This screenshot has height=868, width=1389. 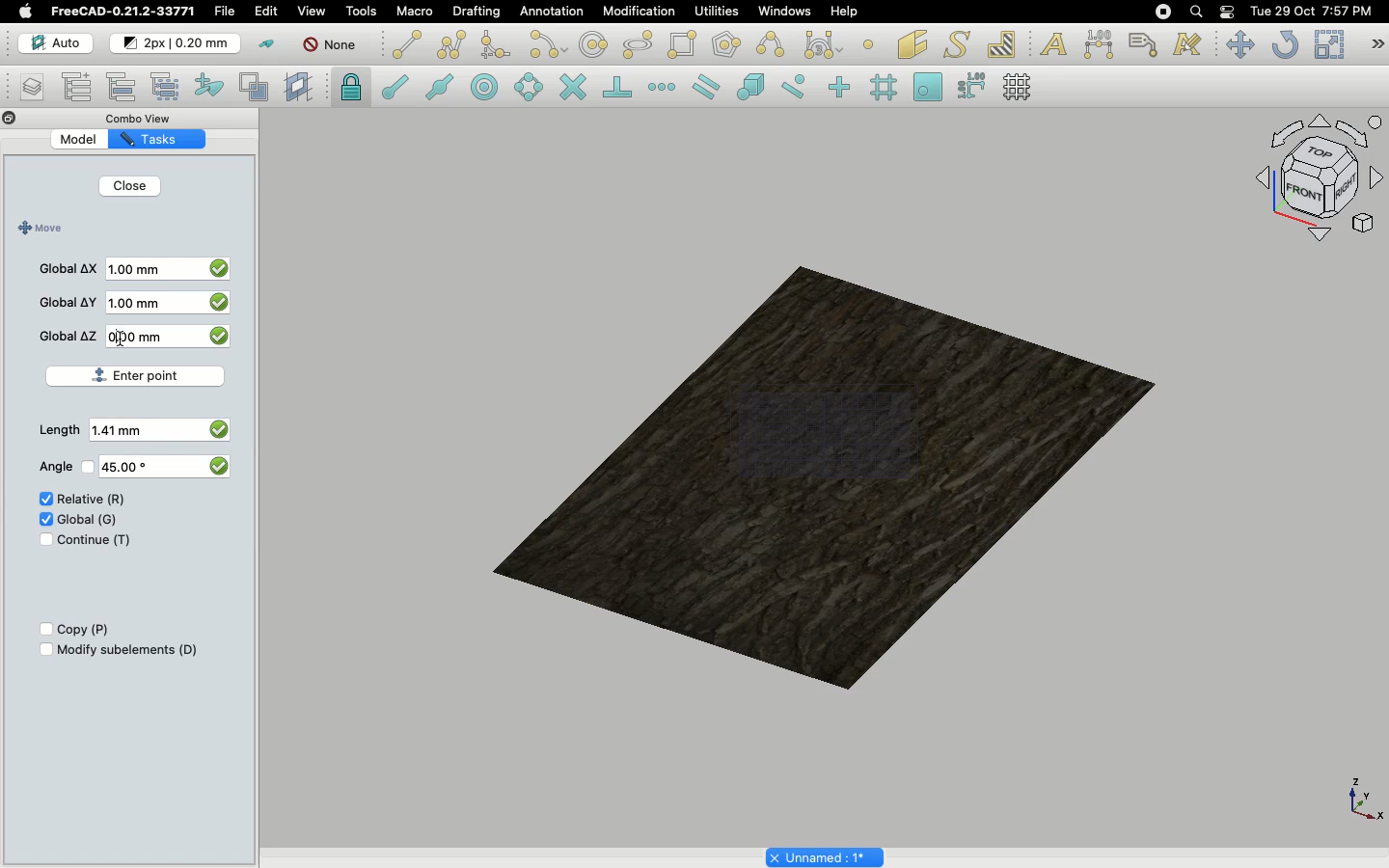 I want to click on Scale, so click(x=1328, y=44).